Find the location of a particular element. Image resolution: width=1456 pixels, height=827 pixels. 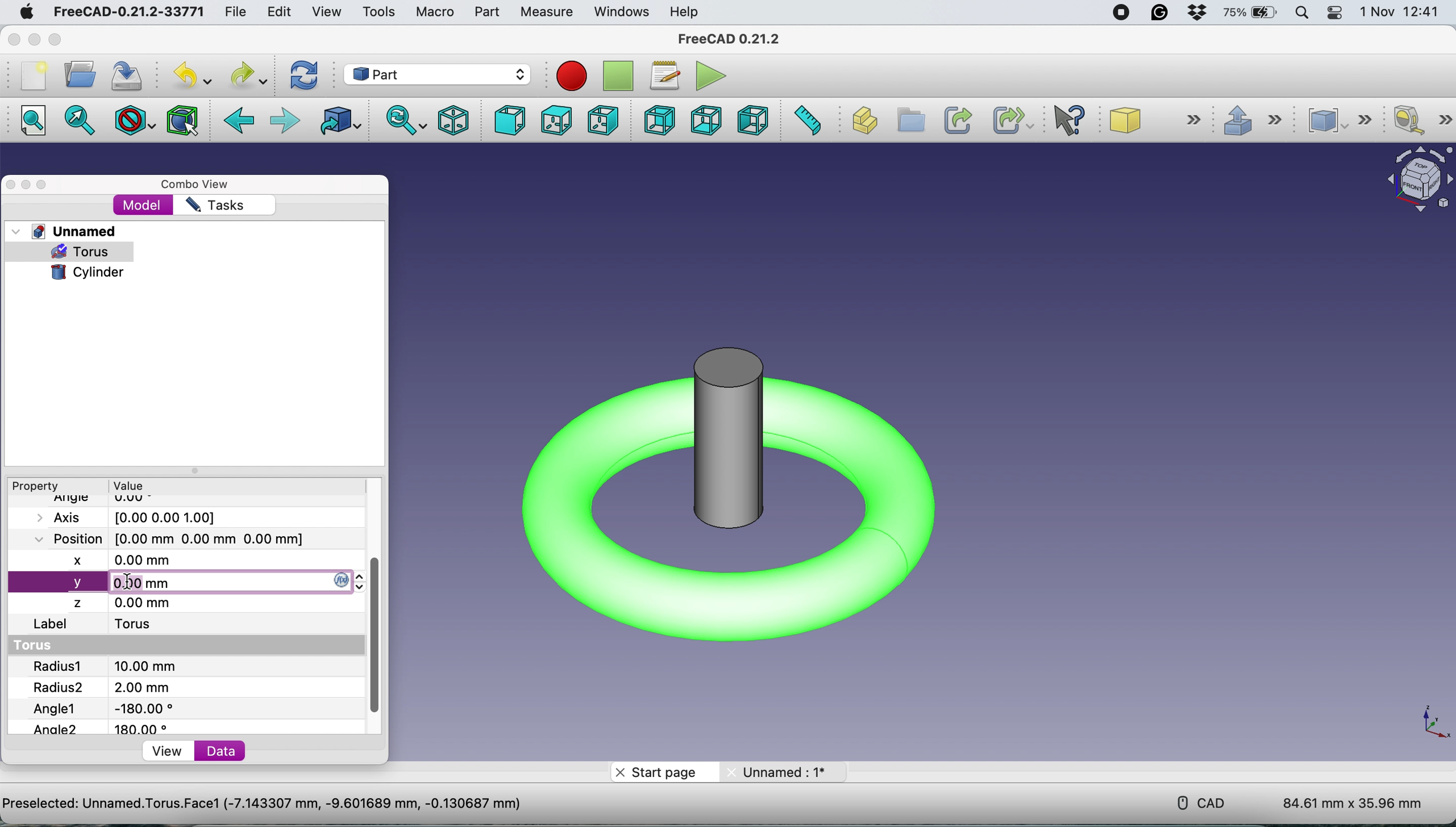

maximise is located at coordinates (44, 185).